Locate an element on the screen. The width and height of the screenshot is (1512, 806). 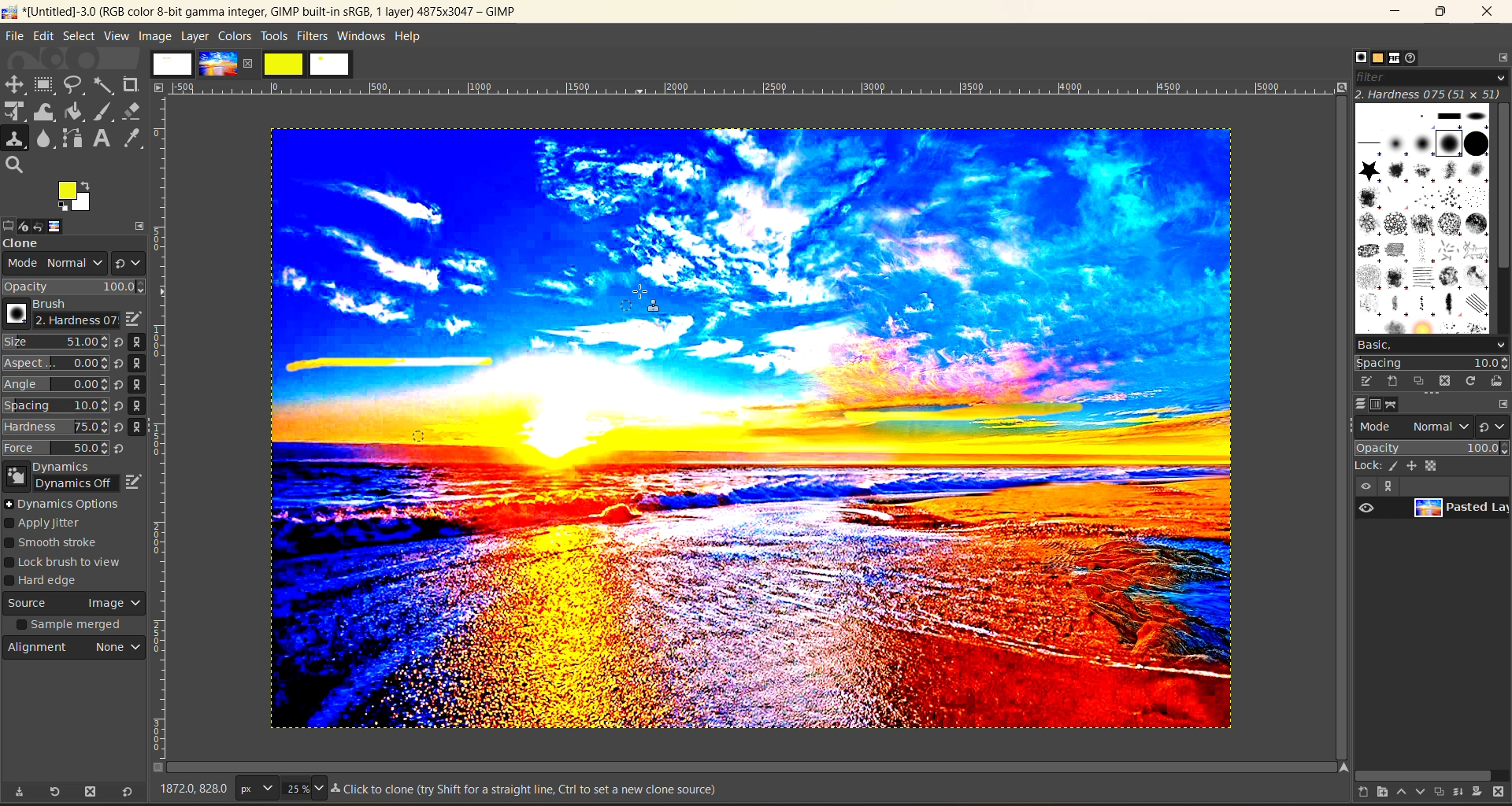
cloned area is located at coordinates (390, 361).